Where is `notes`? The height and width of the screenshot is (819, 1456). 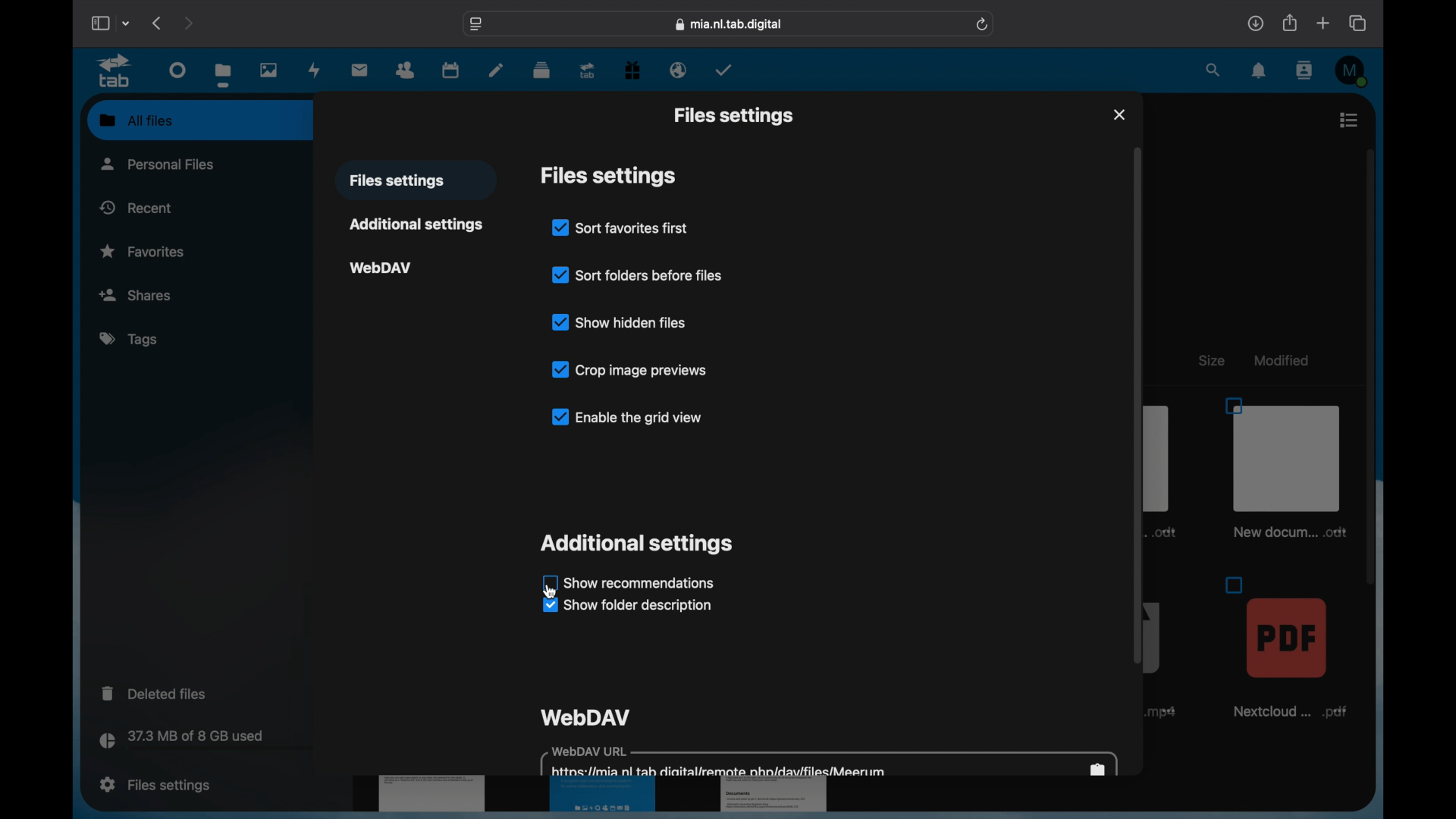
notes is located at coordinates (497, 69).